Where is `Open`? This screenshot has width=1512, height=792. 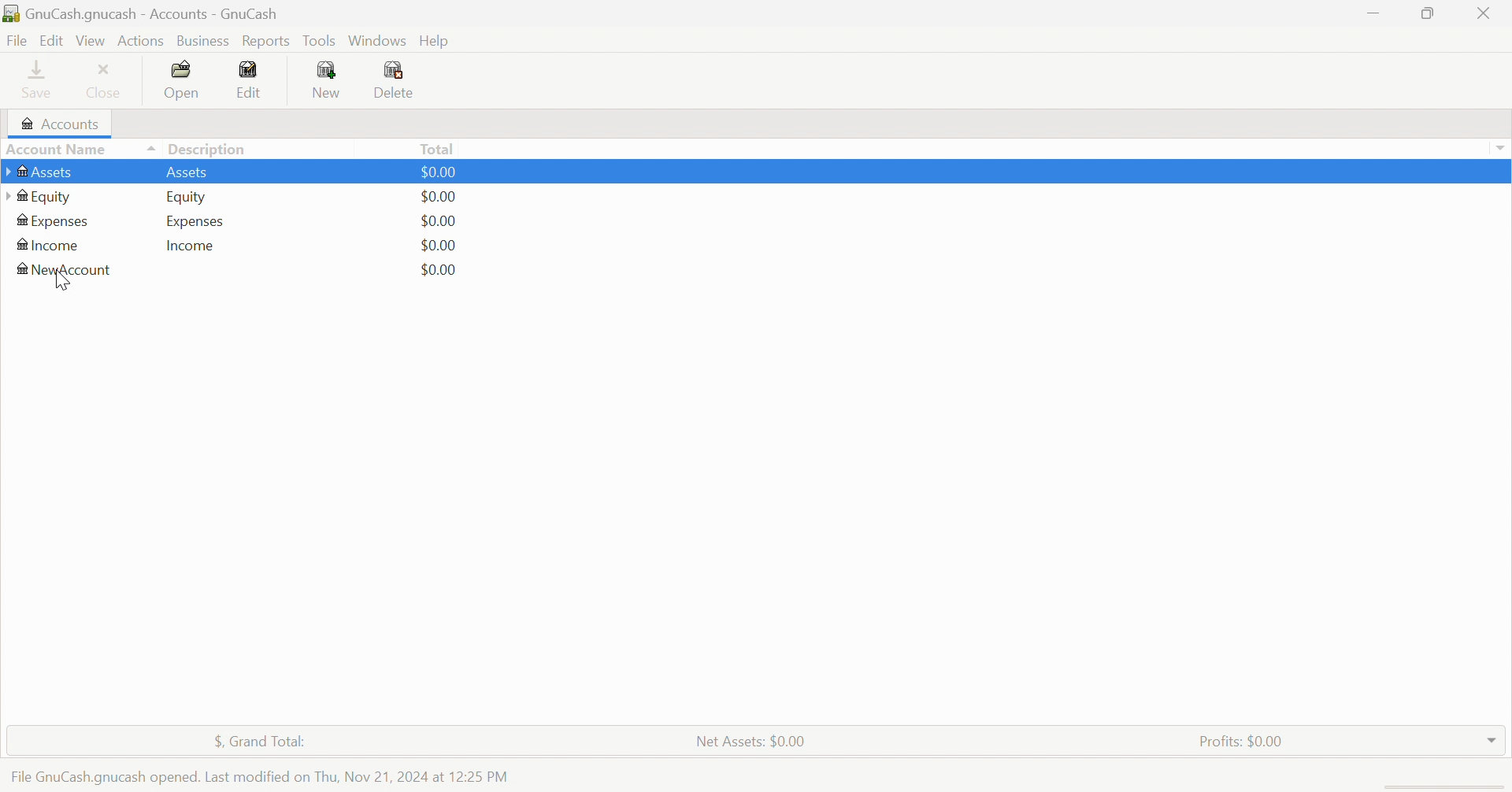 Open is located at coordinates (185, 81).